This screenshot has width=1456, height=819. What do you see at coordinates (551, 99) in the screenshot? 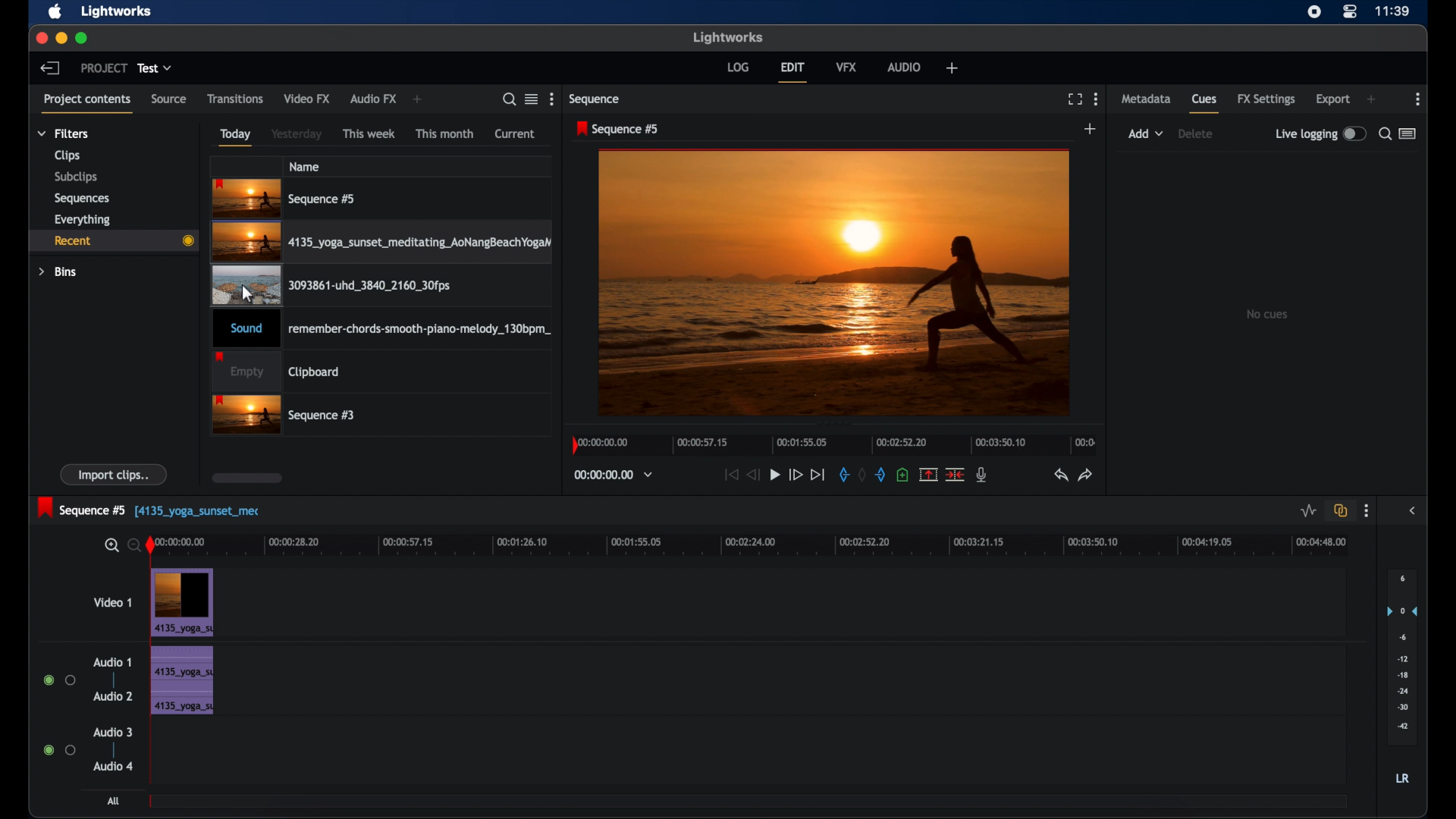
I see `more options` at bounding box center [551, 99].